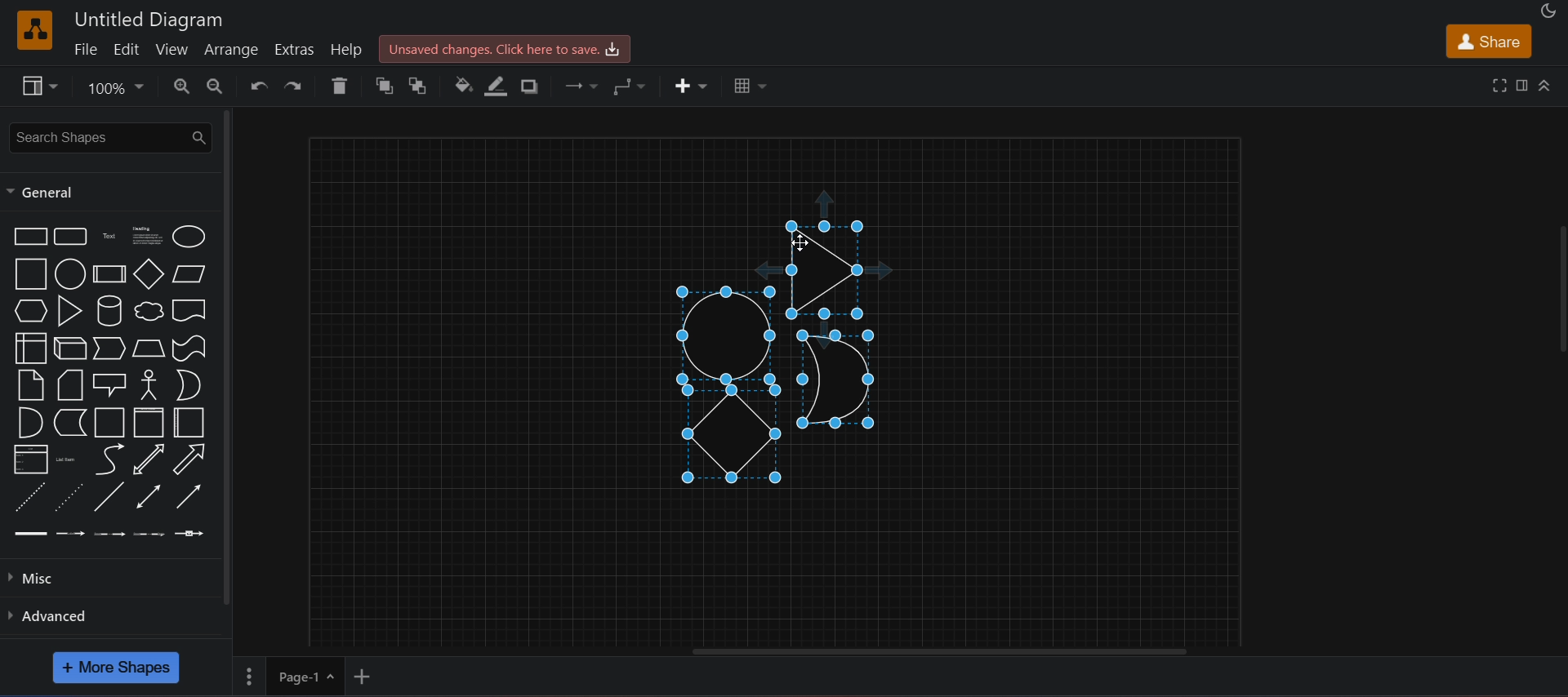 The width and height of the screenshot is (1568, 697). I want to click on logo, so click(35, 29).